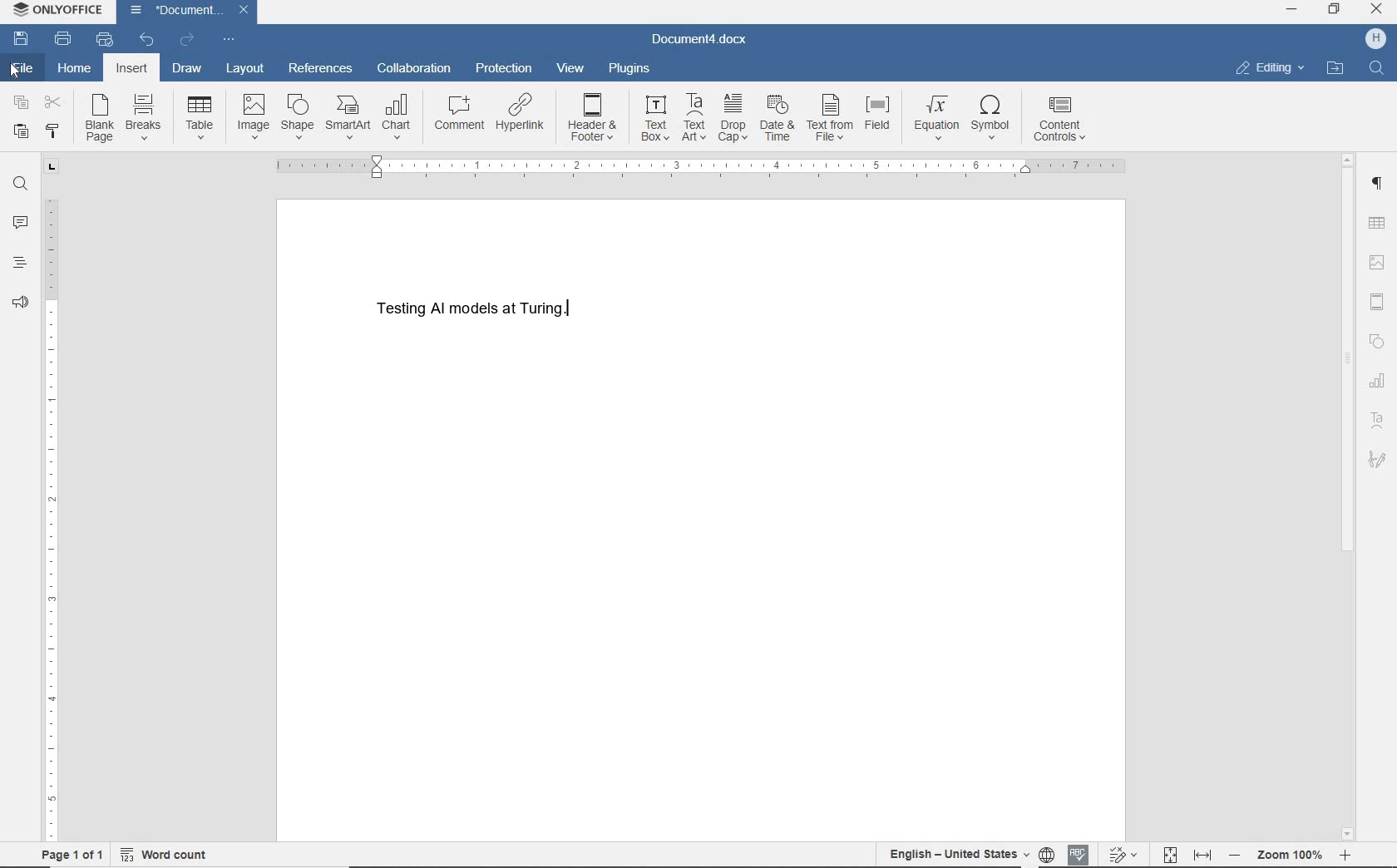 The image size is (1397, 868). I want to click on customize quick access toolbar, so click(229, 40).